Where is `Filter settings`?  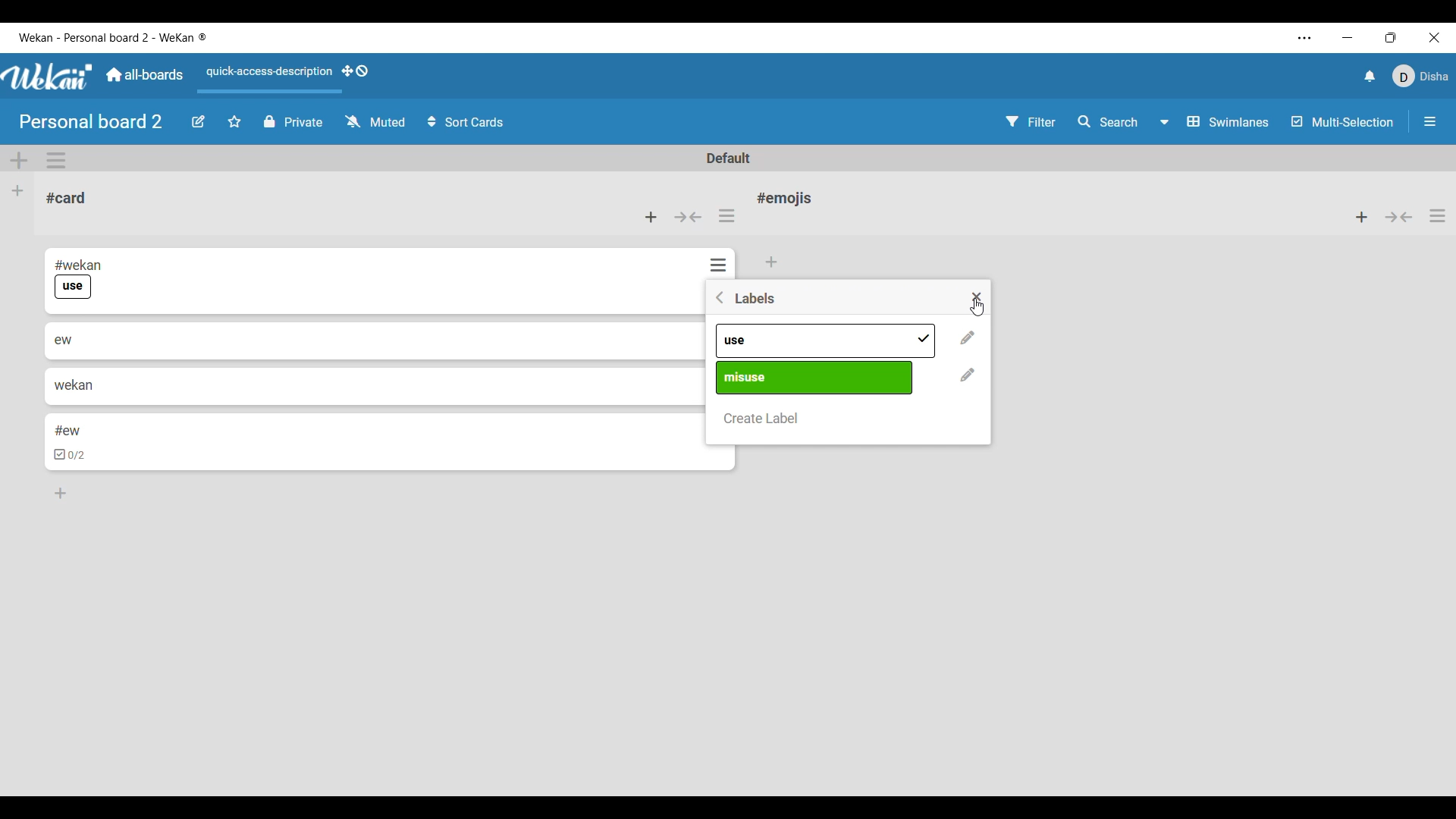
Filter settings is located at coordinates (1031, 121).